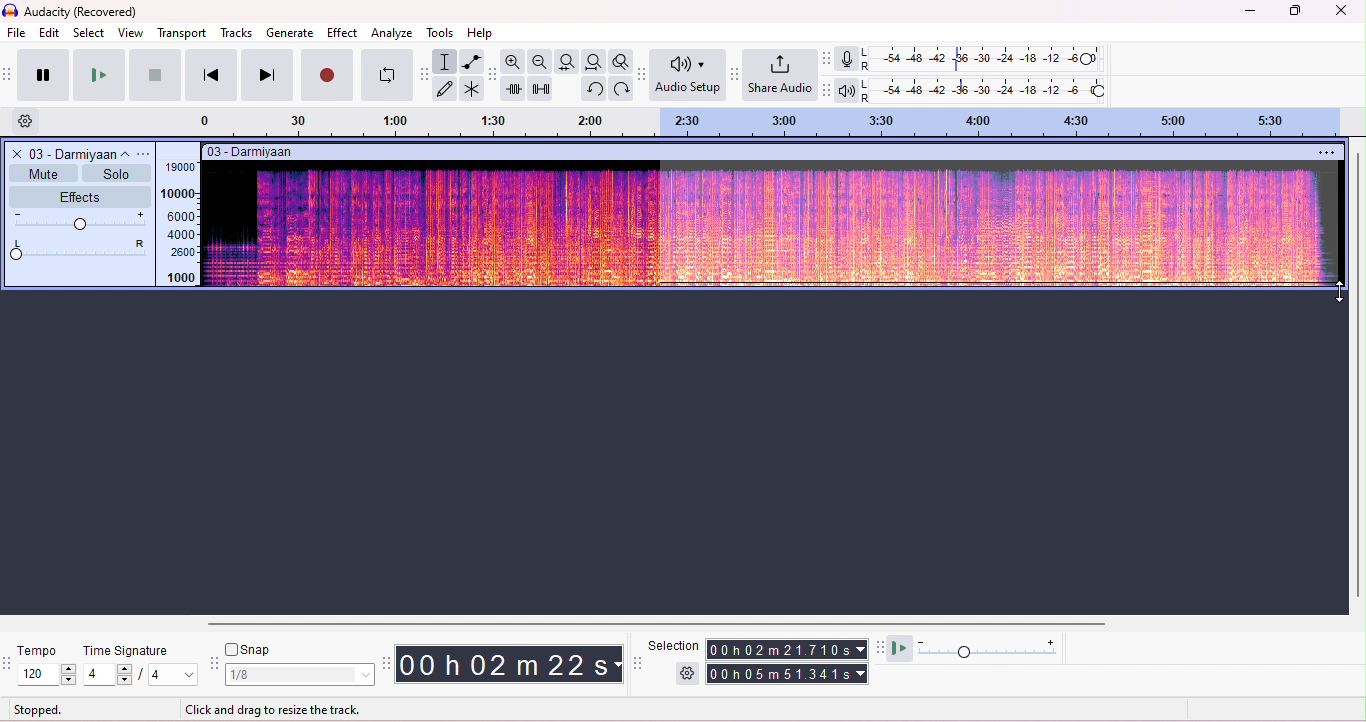 The width and height of the screenshot is (1366, 722). Describe the element at coordinates (902, 649) in the screenshot. I see `play at speed/ play at speed once` at that location.